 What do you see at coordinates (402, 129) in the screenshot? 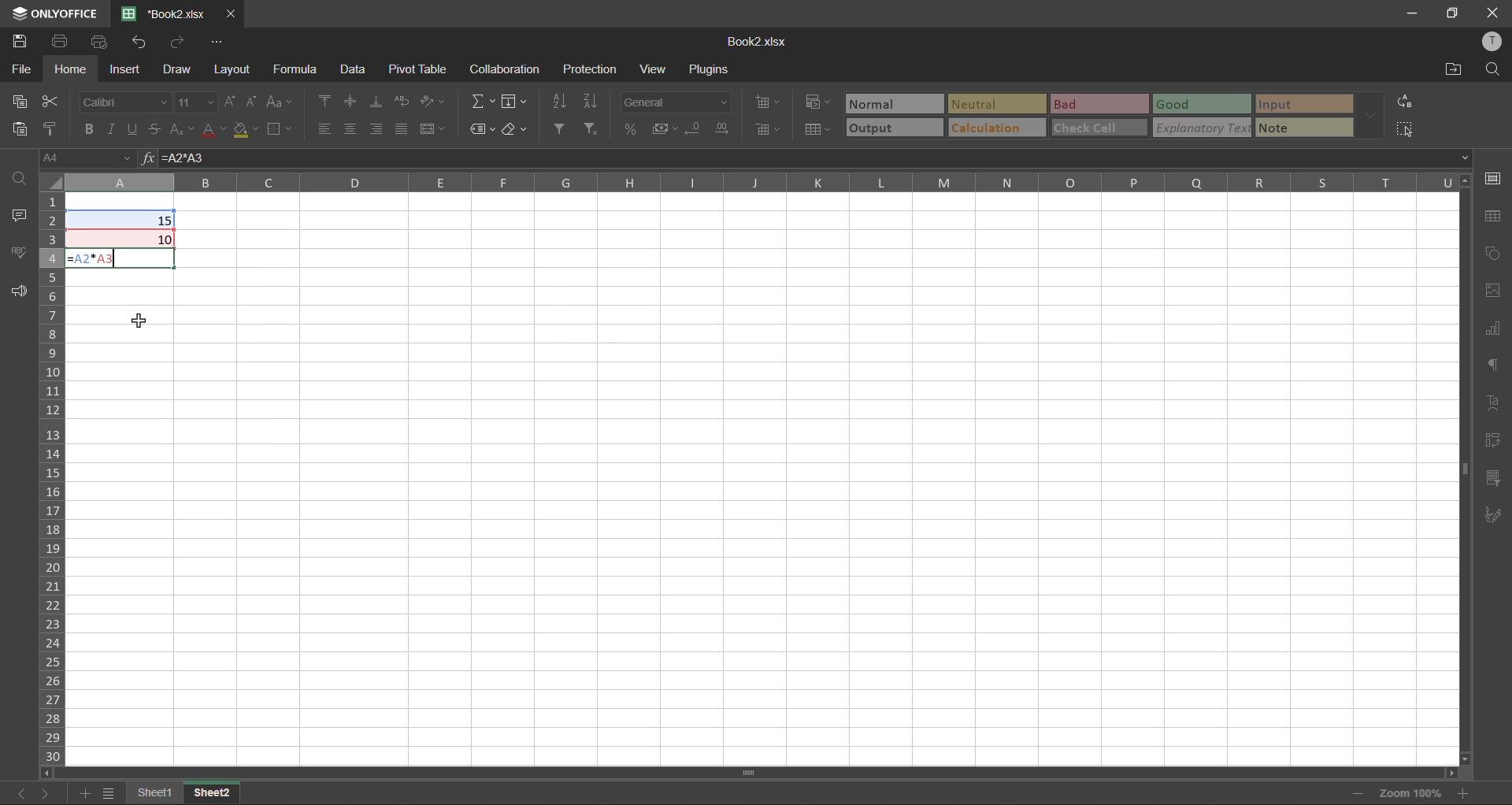
I see `justified` at bounding box center [402, 129].